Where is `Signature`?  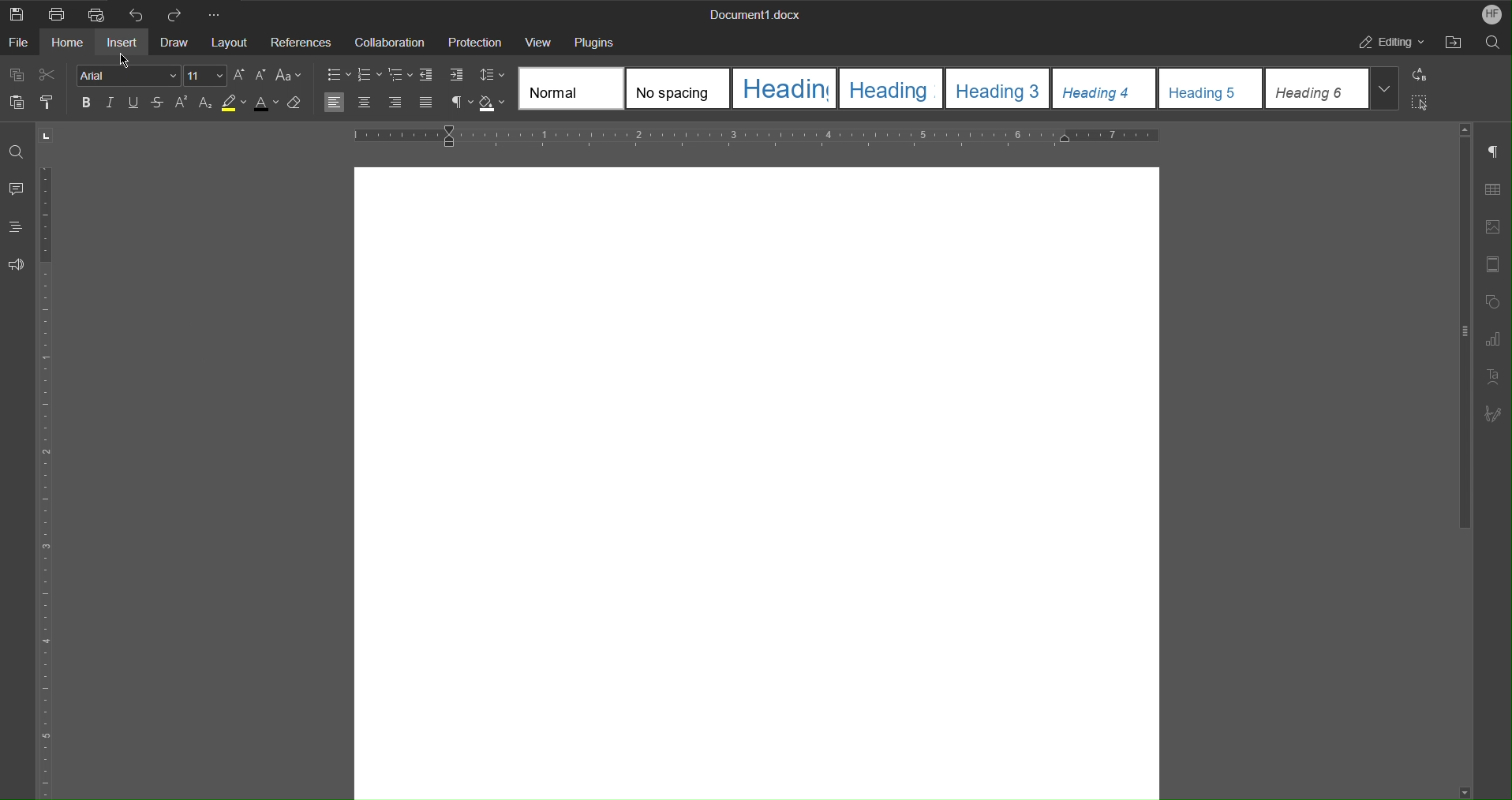
Signature is located at coordinates (1490, 413).